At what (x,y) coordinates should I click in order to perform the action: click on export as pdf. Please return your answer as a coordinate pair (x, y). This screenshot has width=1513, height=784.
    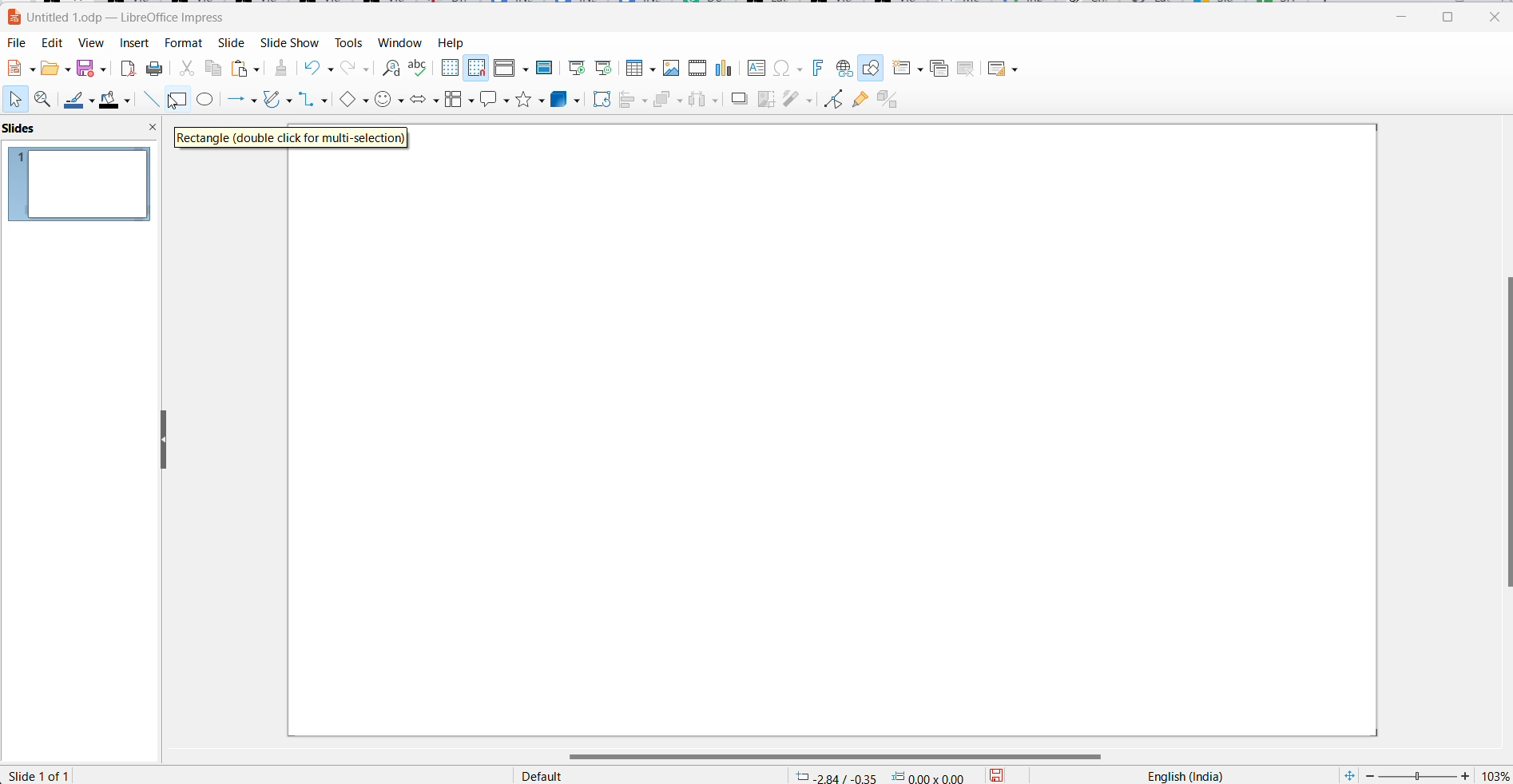
    Looking at the image, I should click on (126, 69).